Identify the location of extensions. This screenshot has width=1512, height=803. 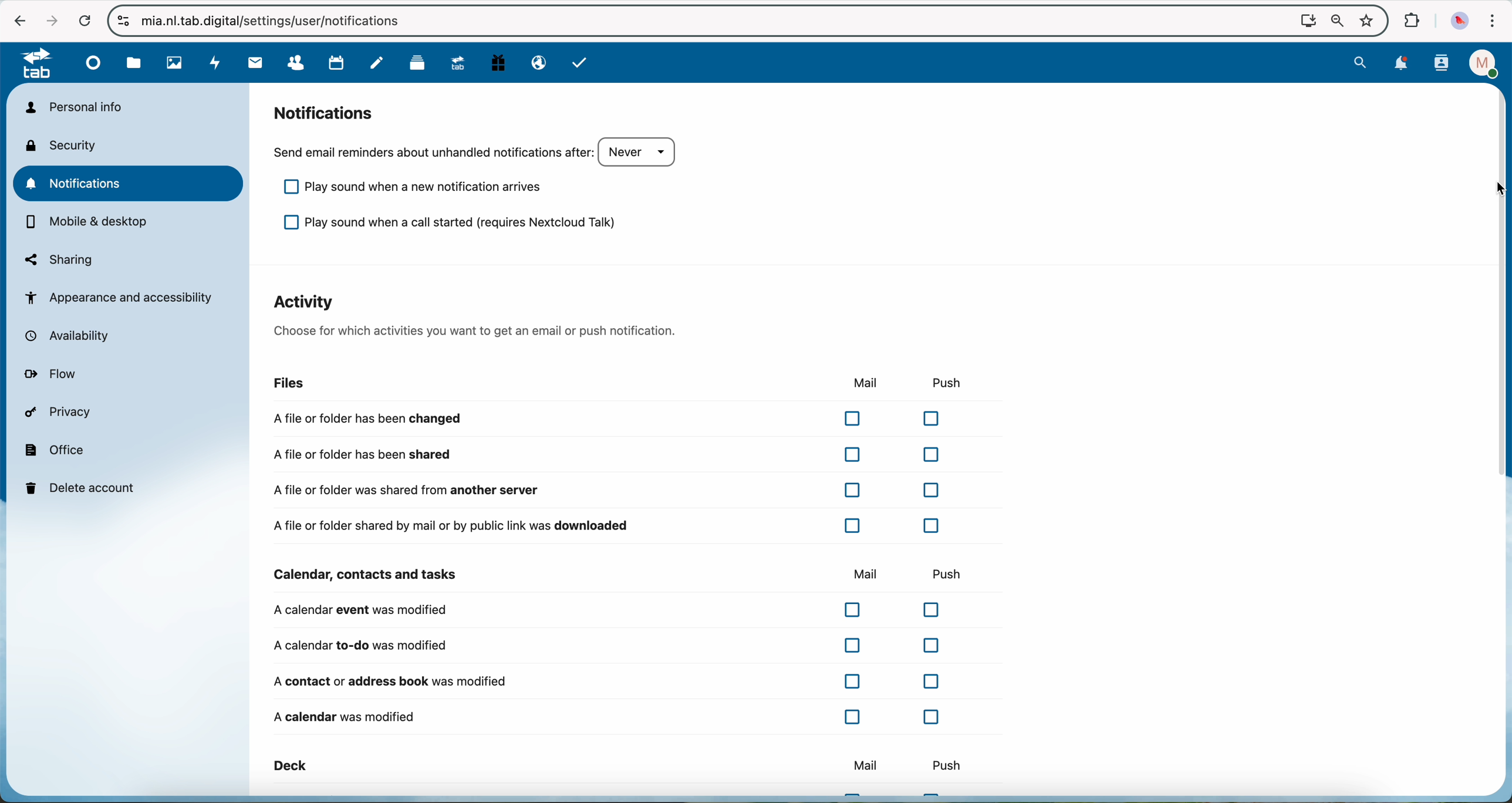
(1412, 21).